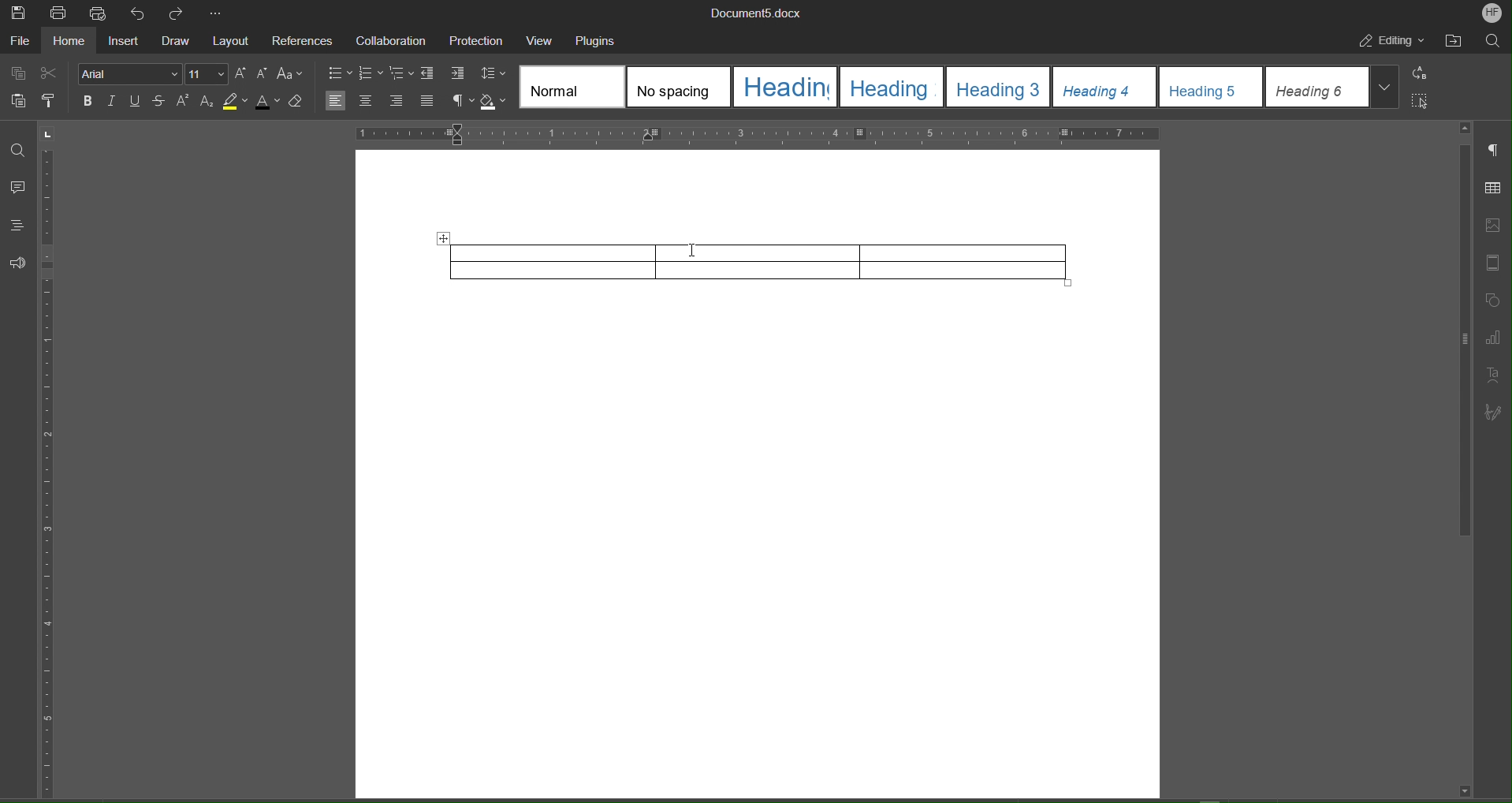 The image size is (1512, 803). Describe the element at coordinates (1465, 128) in the screenshot. I see `scroll up` at that location.